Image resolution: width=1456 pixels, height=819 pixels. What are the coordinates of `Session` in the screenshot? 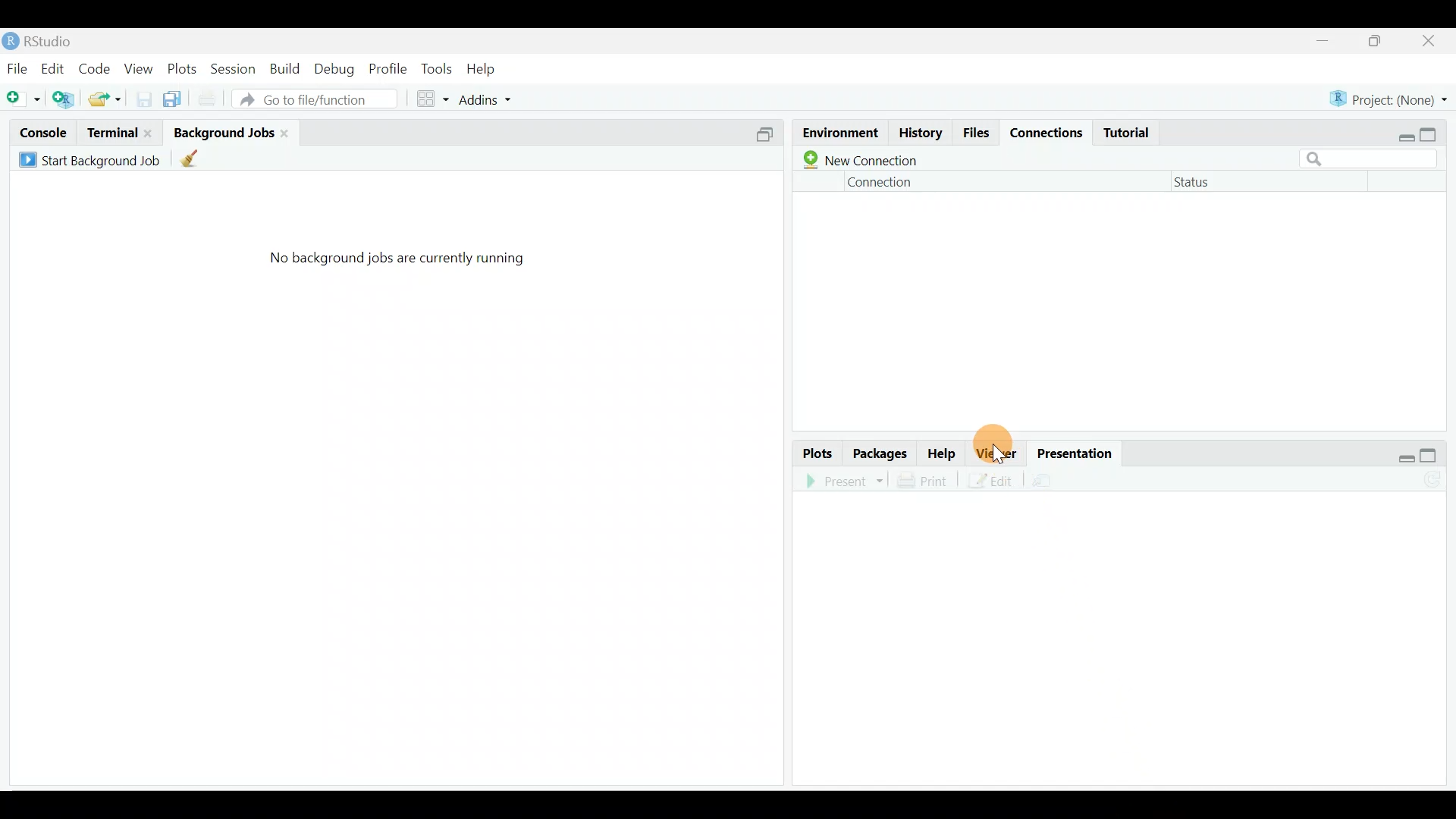 It's located at (235, 67).